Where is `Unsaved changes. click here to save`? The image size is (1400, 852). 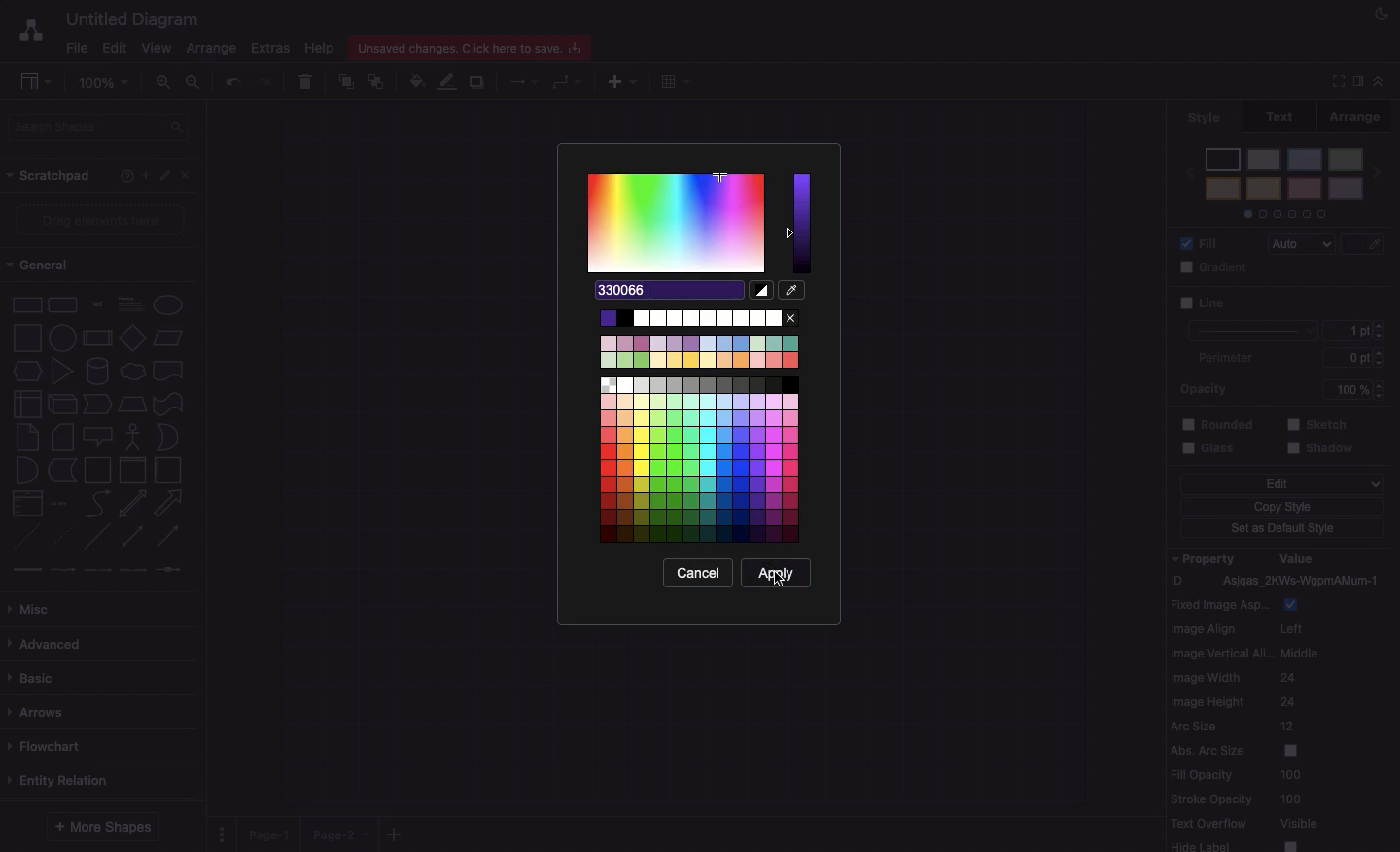 Unsaved changes. click here to save is located at coordinates (474, 47).